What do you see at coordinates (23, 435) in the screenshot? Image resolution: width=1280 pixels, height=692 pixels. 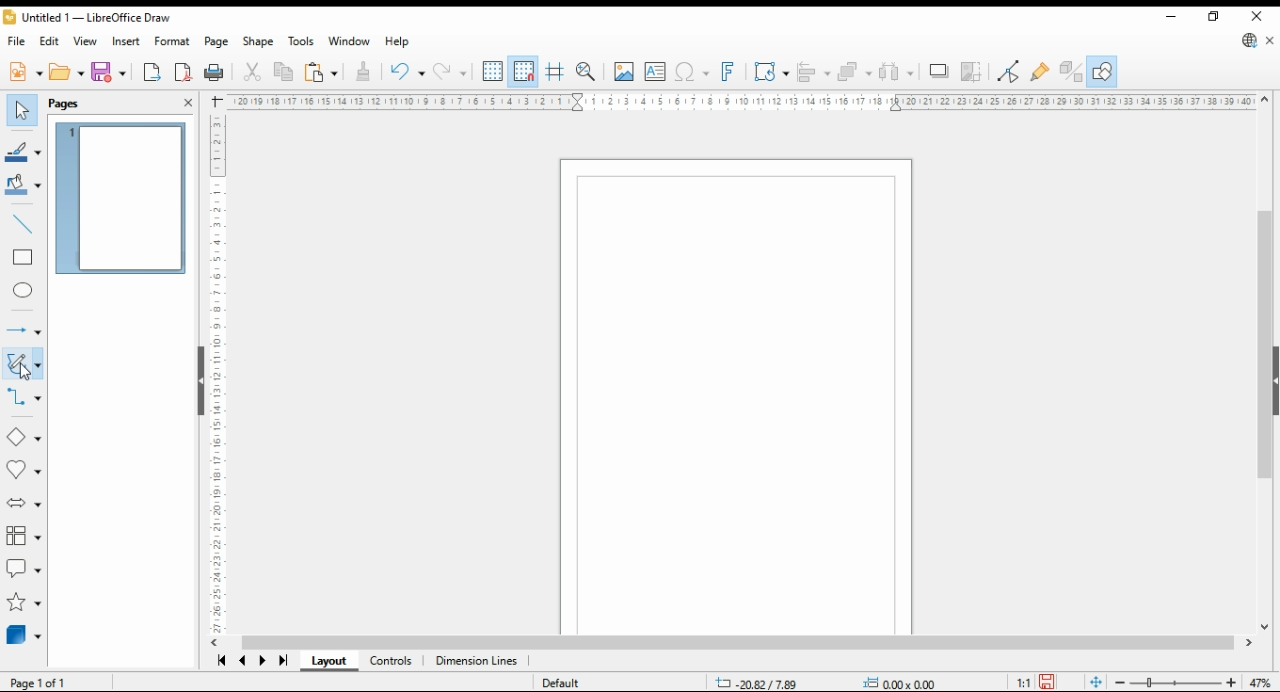 I see `basic shapes` at bounding box center [23, 435].